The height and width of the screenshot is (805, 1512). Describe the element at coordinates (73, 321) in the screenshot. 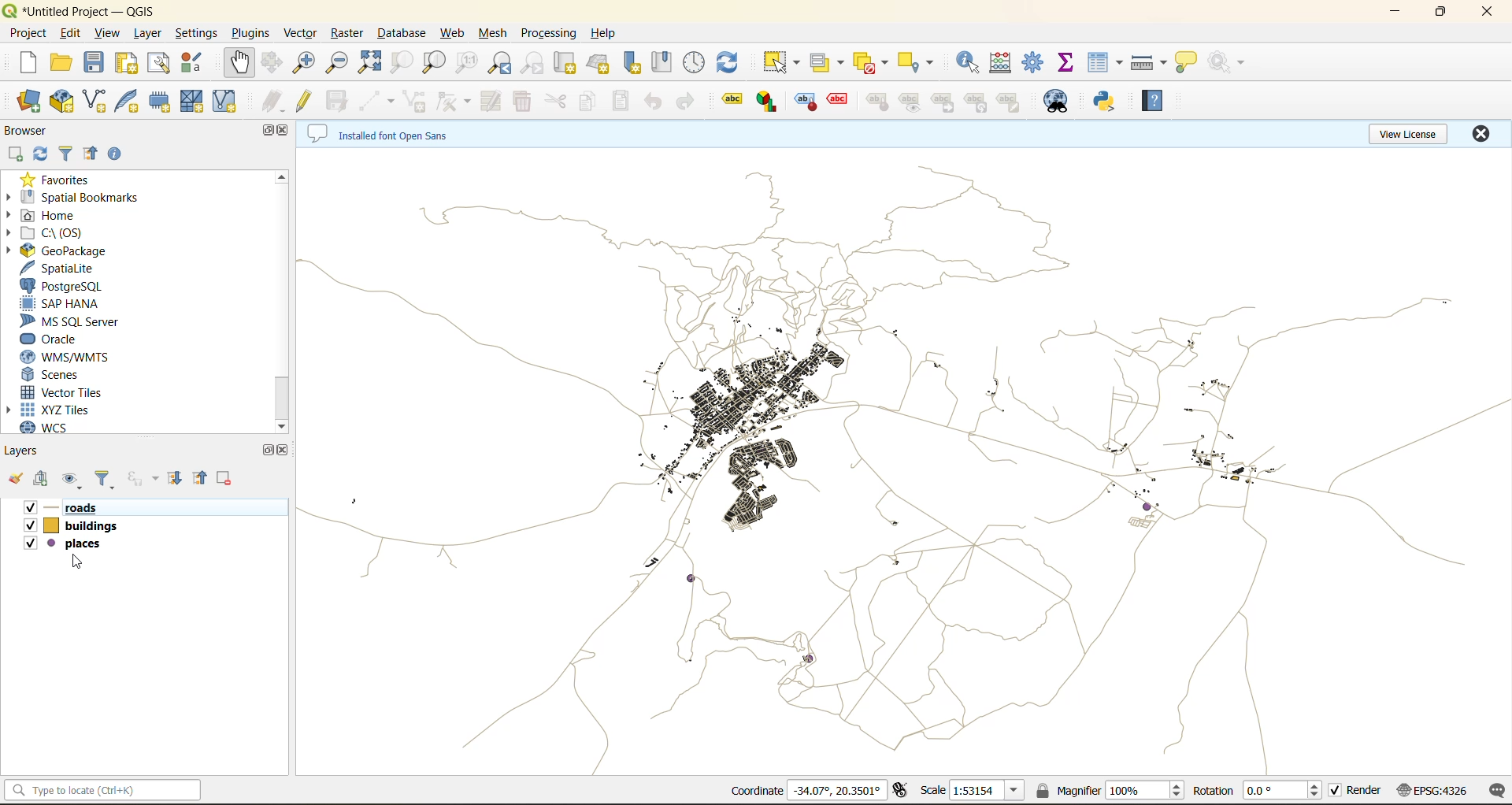

I see `ms sql server` at that location.